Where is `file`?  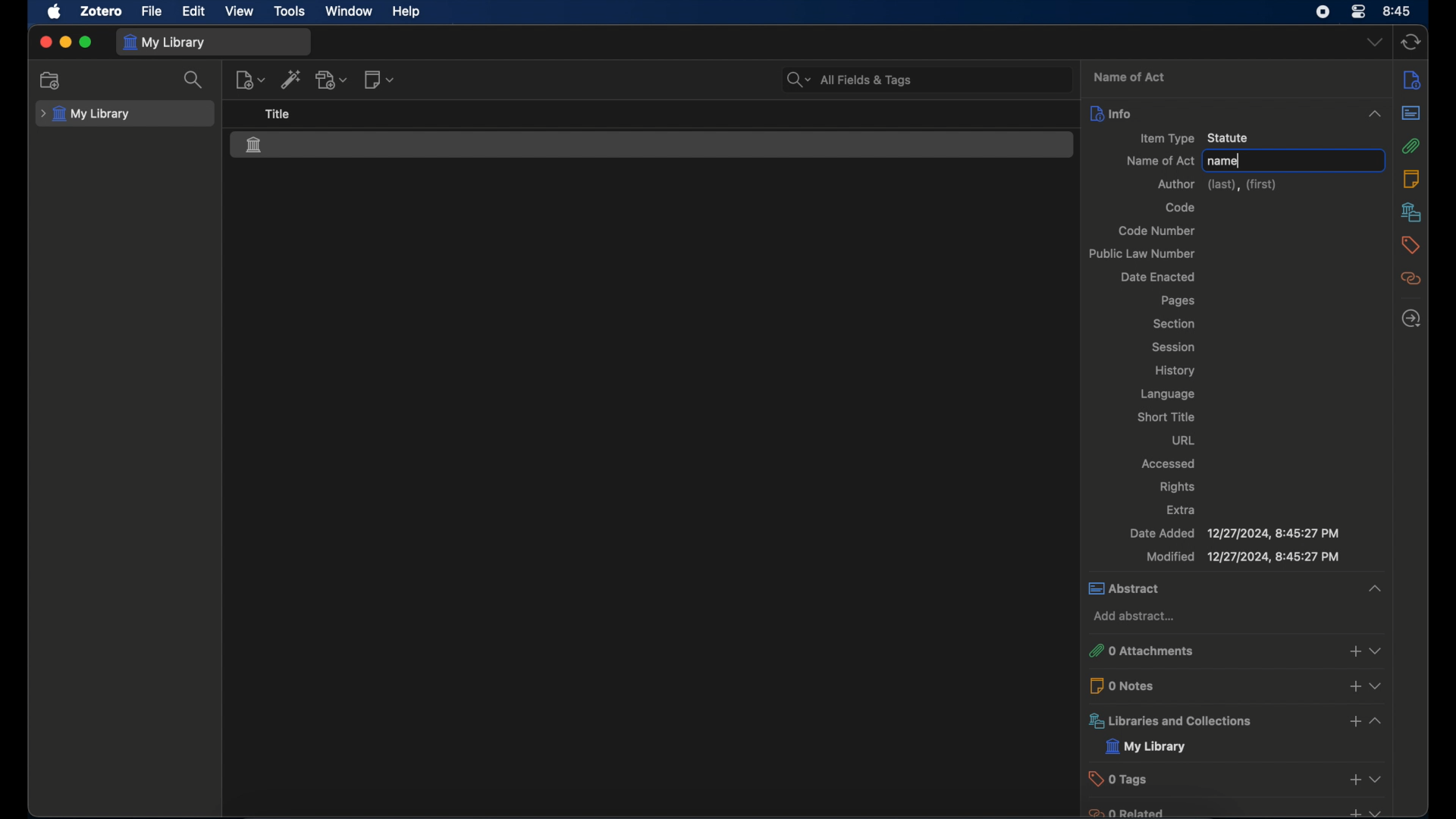
file is located at coordinates (151, 11).